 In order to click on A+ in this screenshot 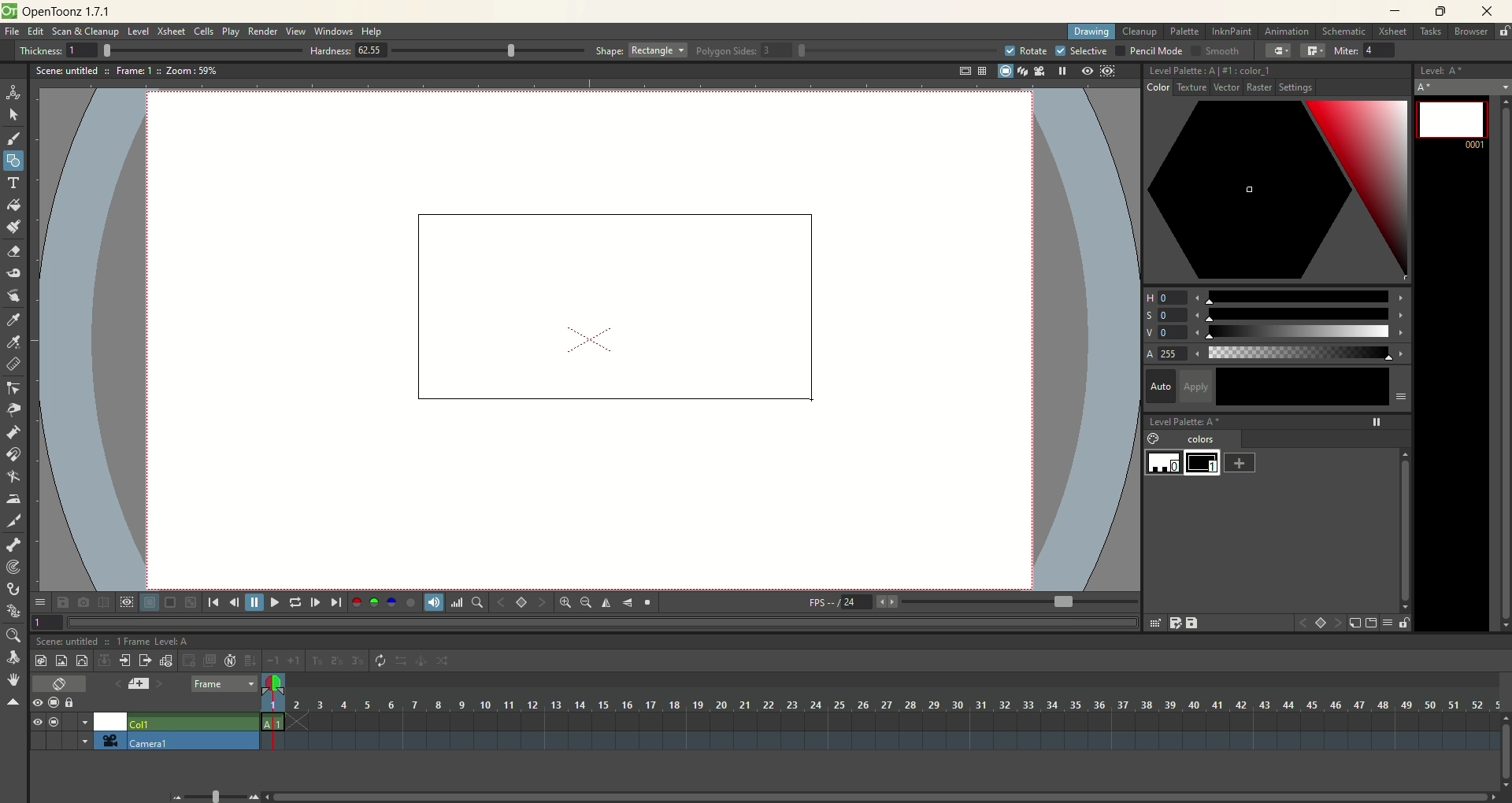, I will do `click(1464, 87)`.